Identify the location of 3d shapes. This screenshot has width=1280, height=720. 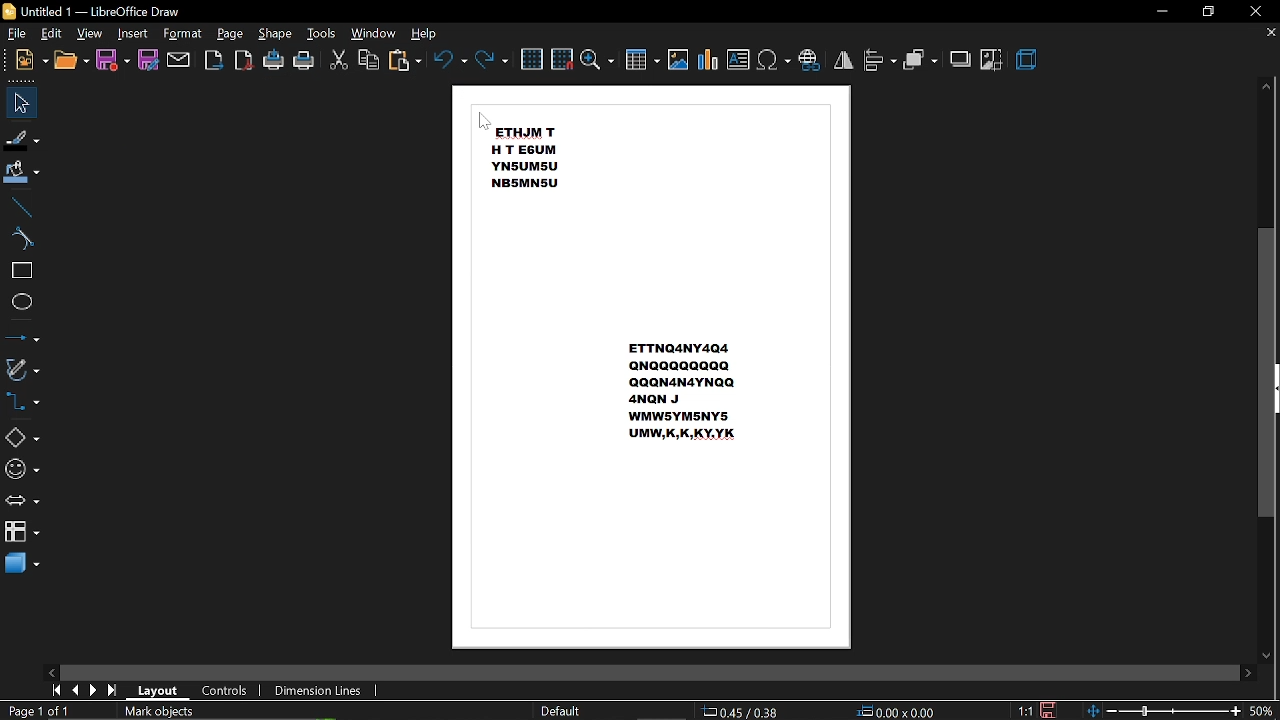
(22, 565).